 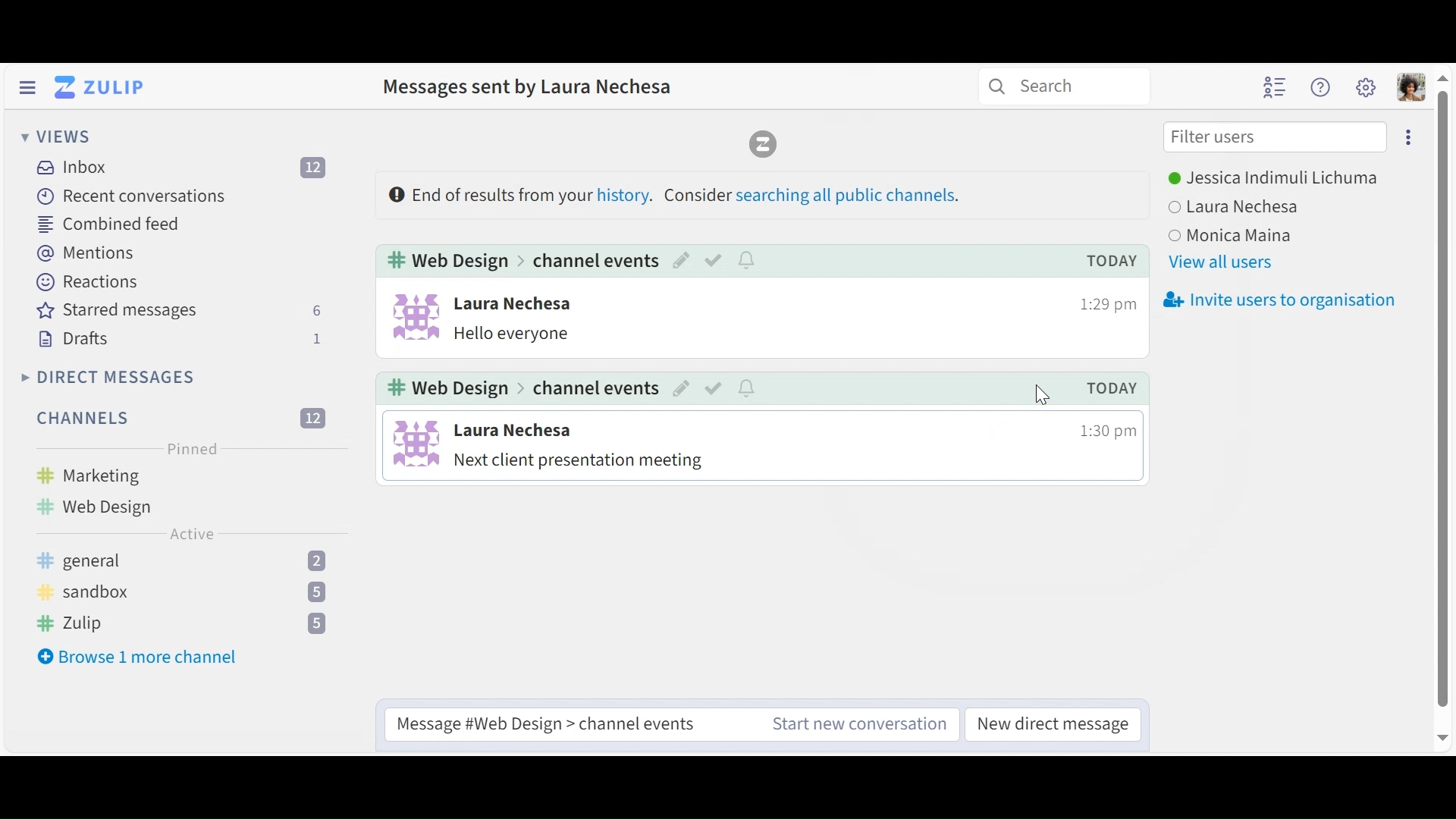 What do you see at coordinates (139, 656) in the screenshot?
I see `Browse more channel` at bounding box center [139, 656].